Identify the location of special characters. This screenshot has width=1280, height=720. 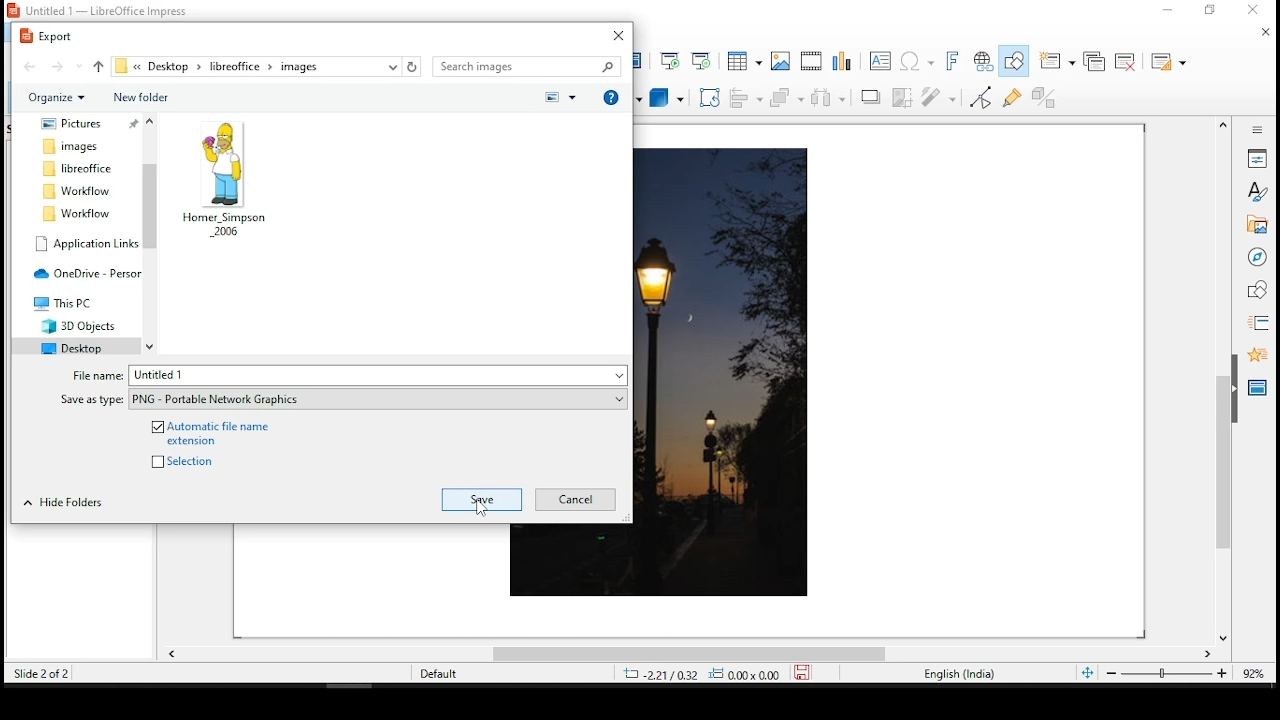
(916, 61).